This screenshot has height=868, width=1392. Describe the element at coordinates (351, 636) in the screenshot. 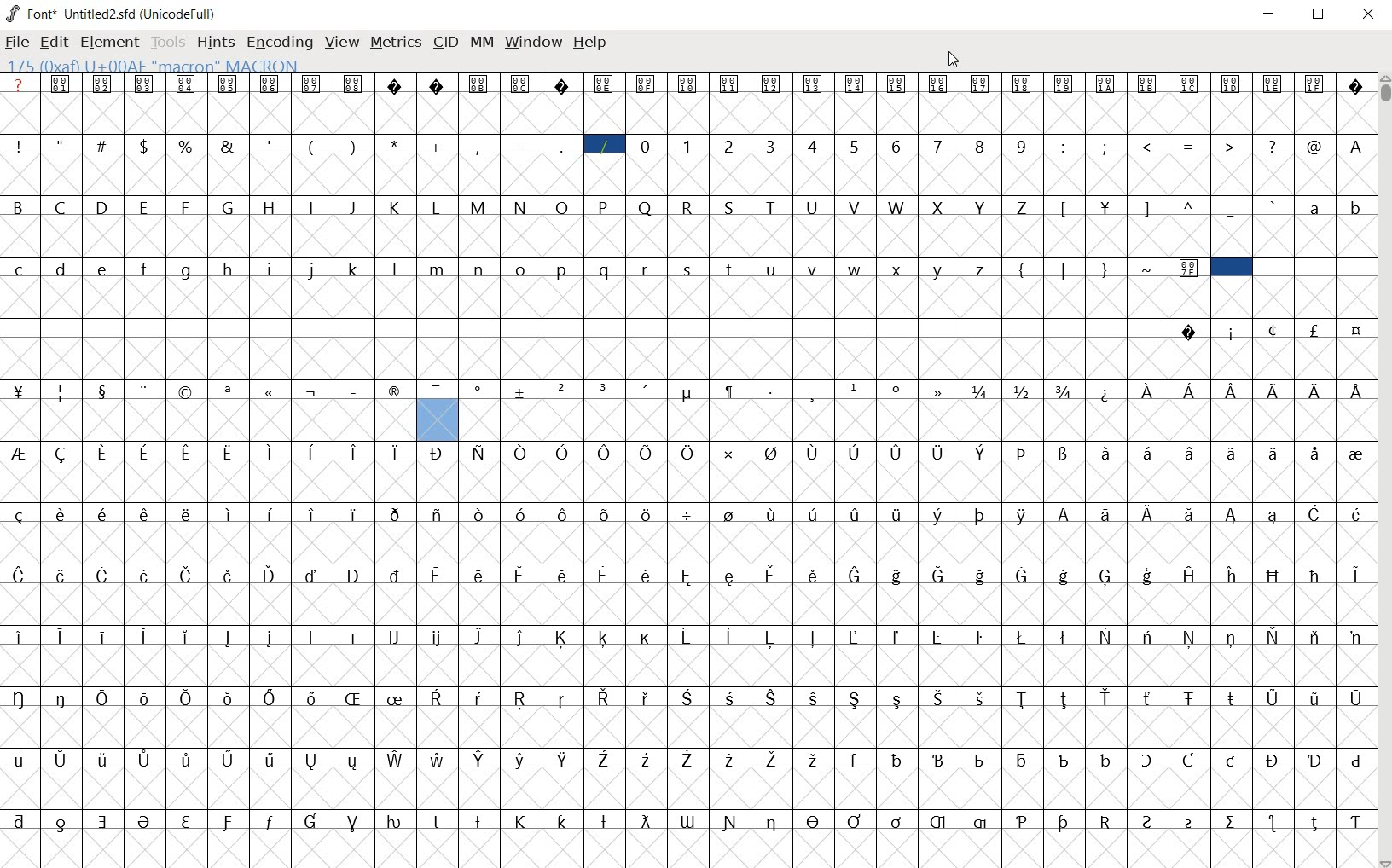

I see `Symbol` at that location.